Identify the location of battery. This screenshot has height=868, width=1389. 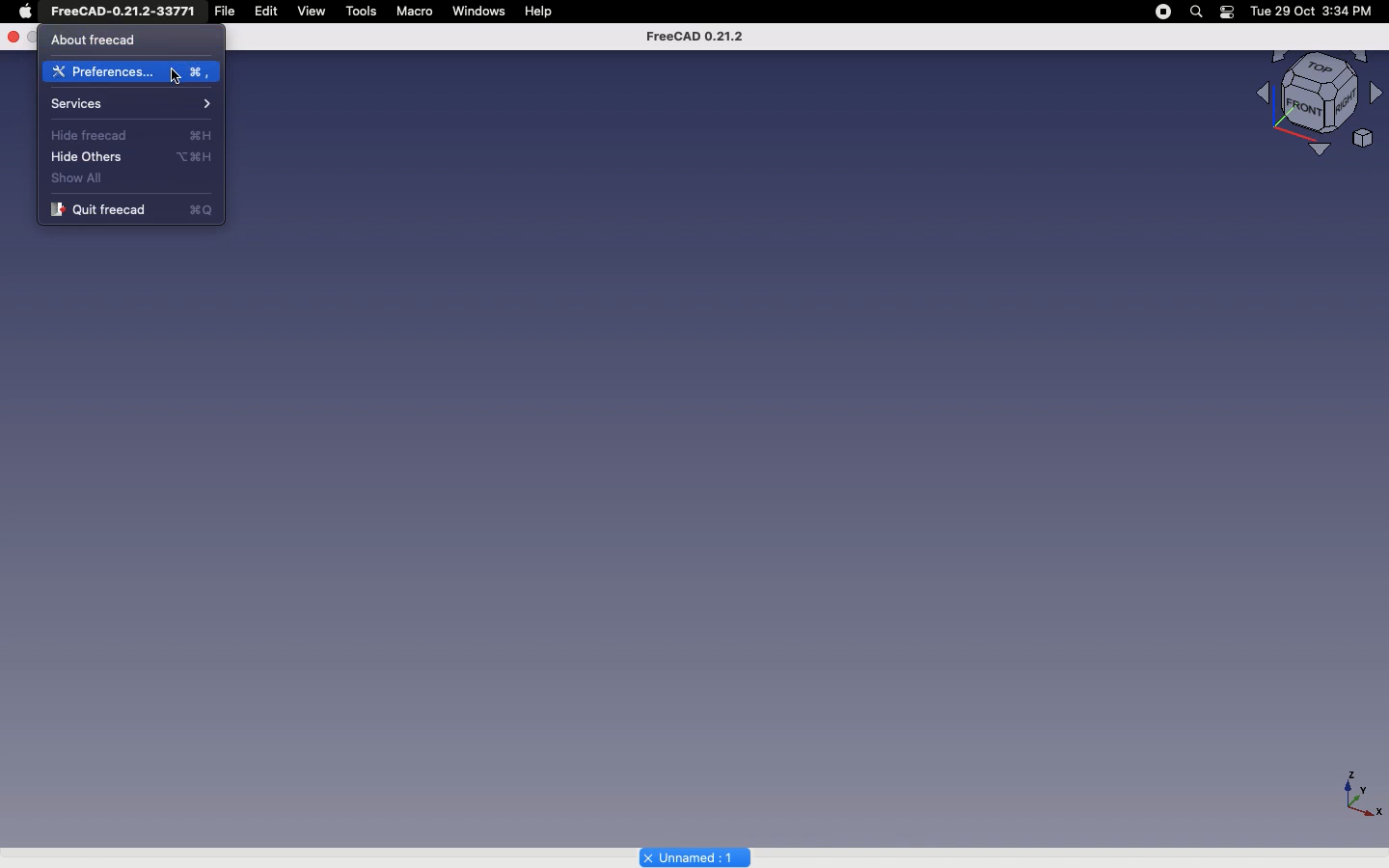
(1228, 14).